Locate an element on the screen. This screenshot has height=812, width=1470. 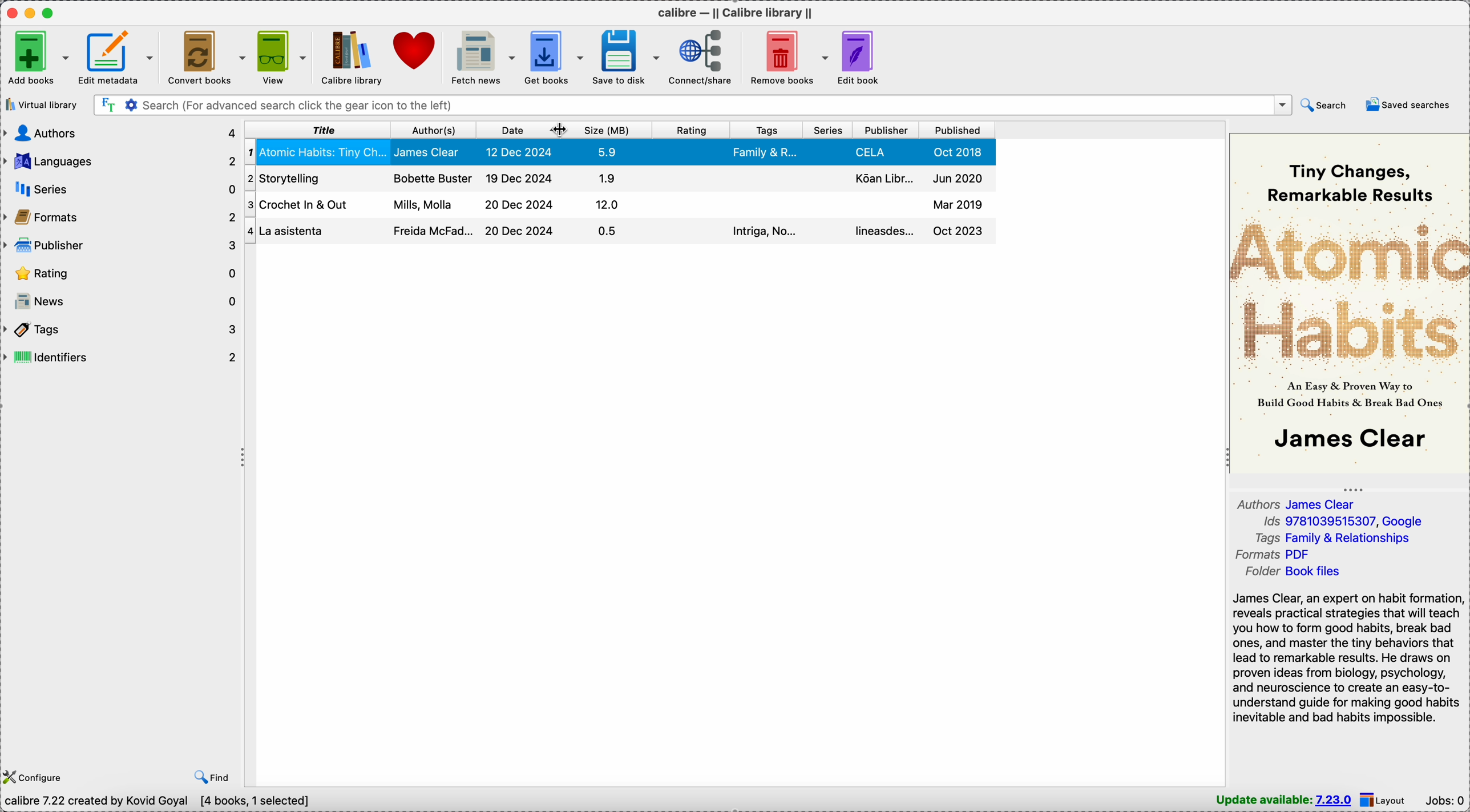
tags is located at coordinates (766, 130).